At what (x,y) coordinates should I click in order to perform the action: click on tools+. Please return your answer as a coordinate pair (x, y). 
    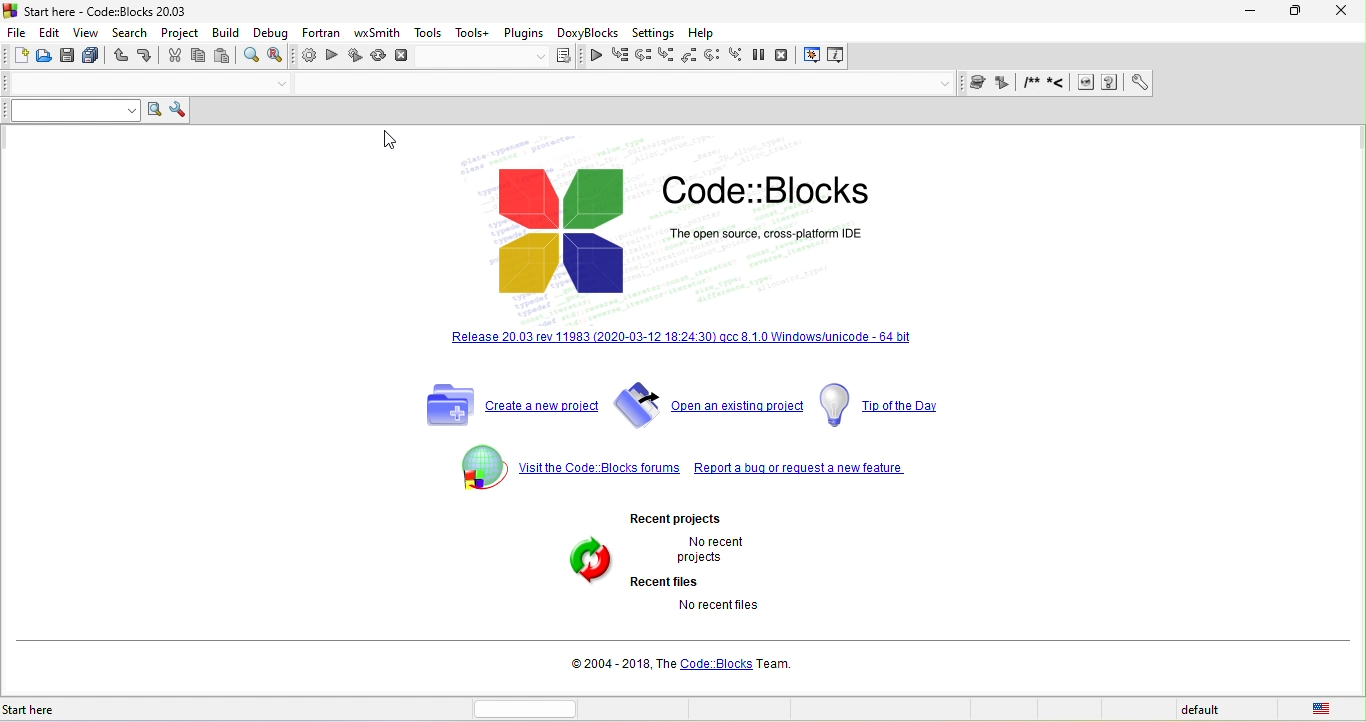
    Looking at the image, I should click on (471, 31).